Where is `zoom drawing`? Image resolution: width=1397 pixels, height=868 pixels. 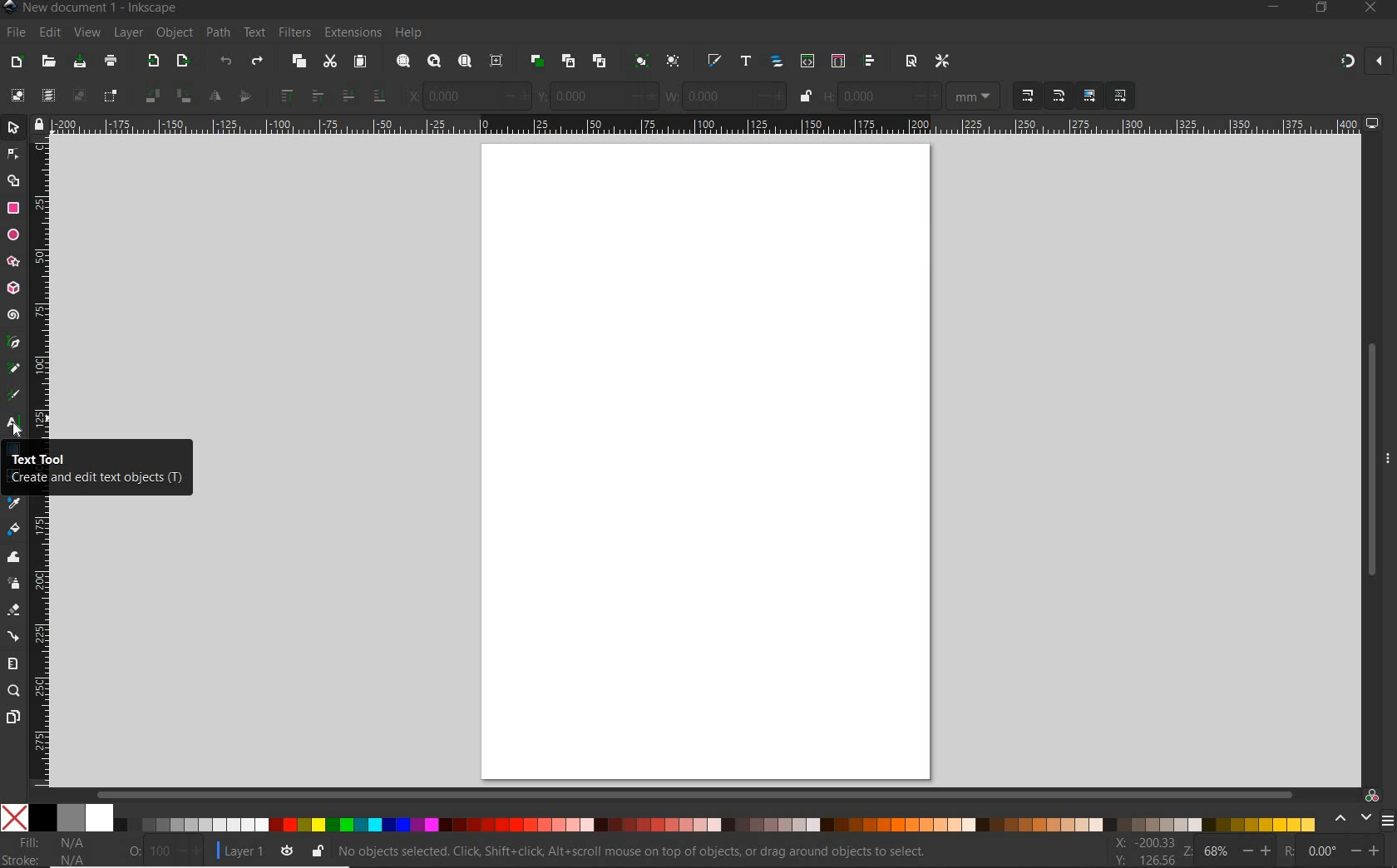
zoom drawing is located at coordinates (435, 62).